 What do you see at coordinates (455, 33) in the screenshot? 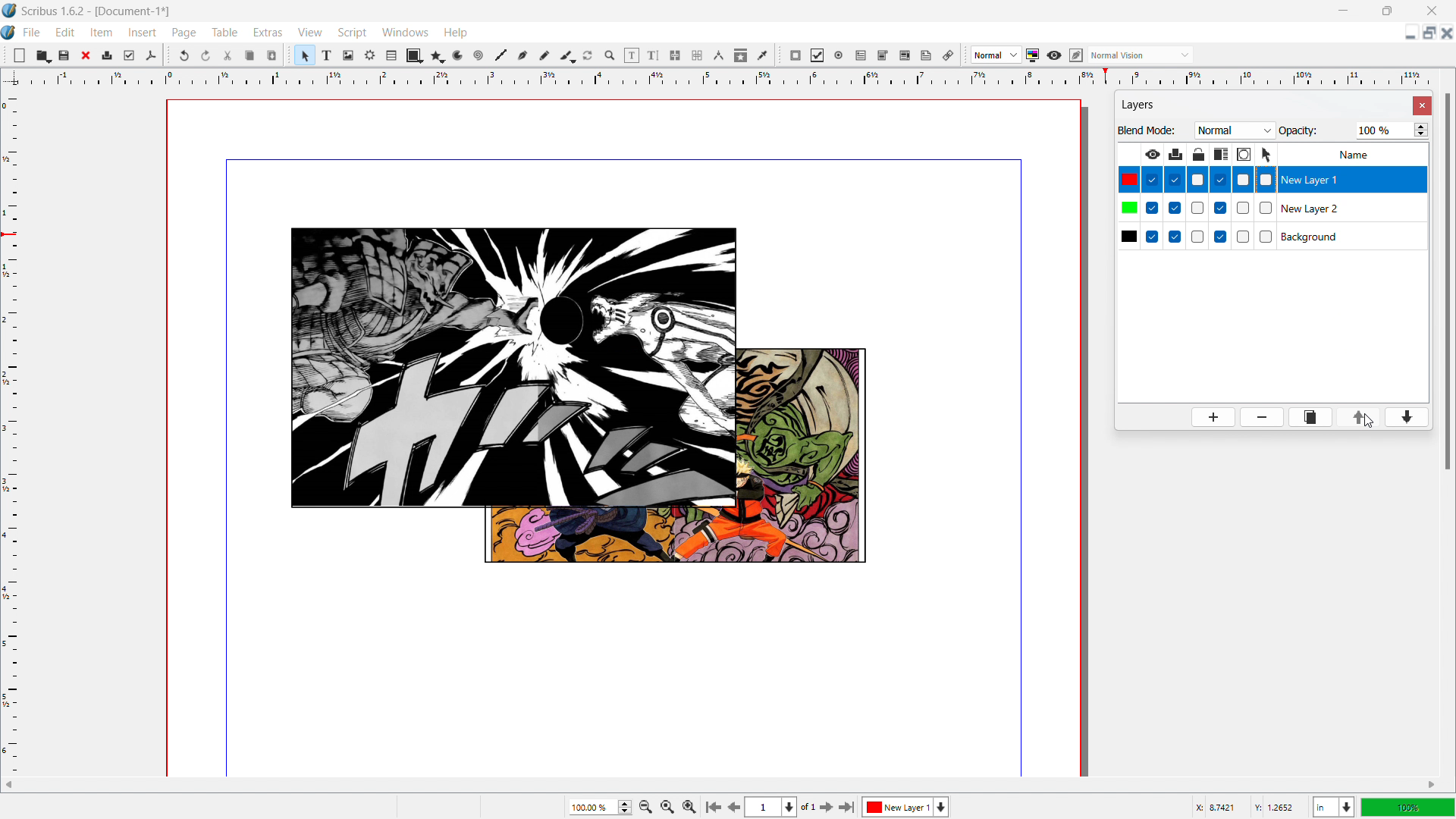
I see `help` at bounding box center [455, 33].